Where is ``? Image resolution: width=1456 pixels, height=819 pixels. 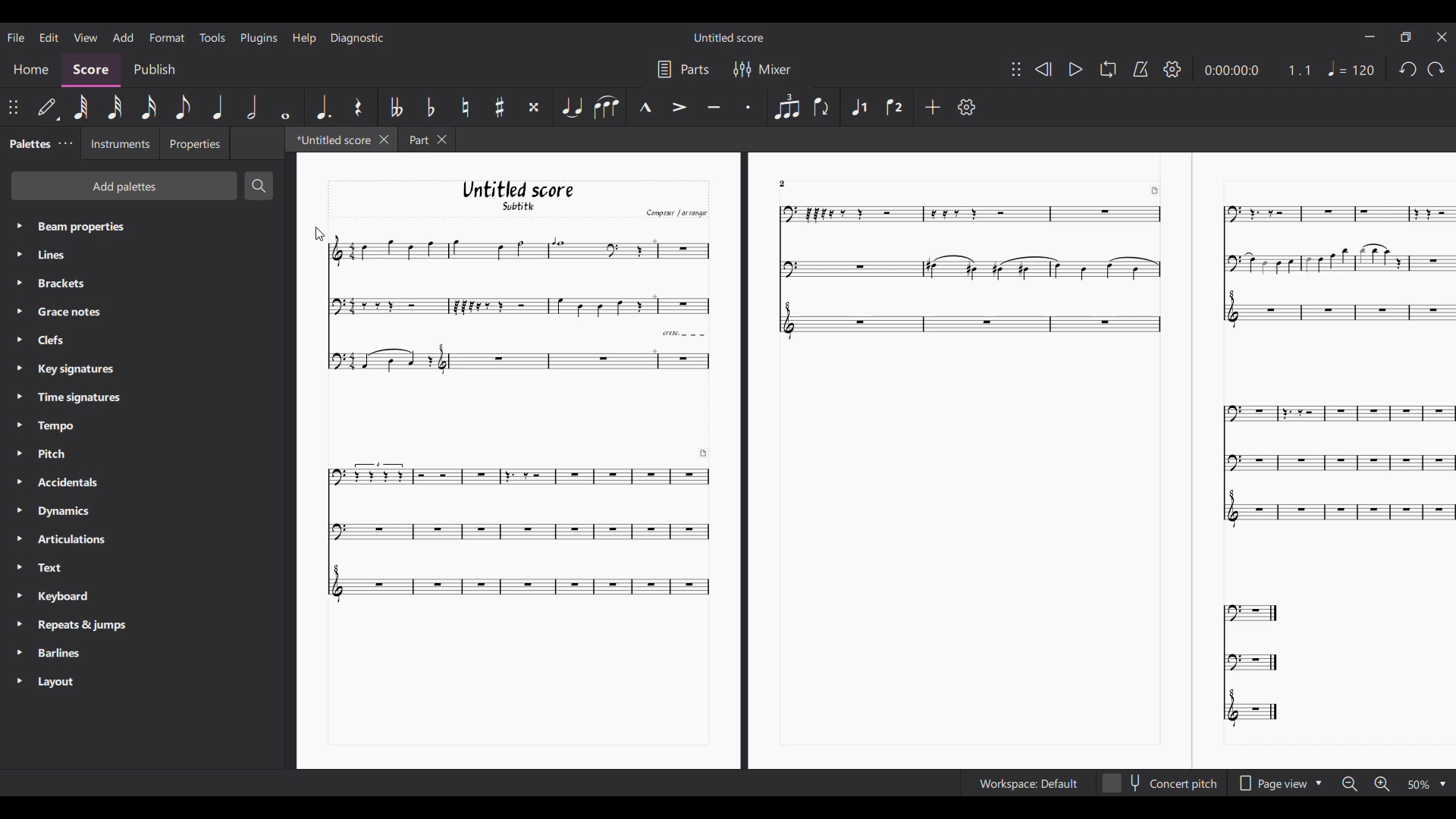  is located at coordinates (521, 249).